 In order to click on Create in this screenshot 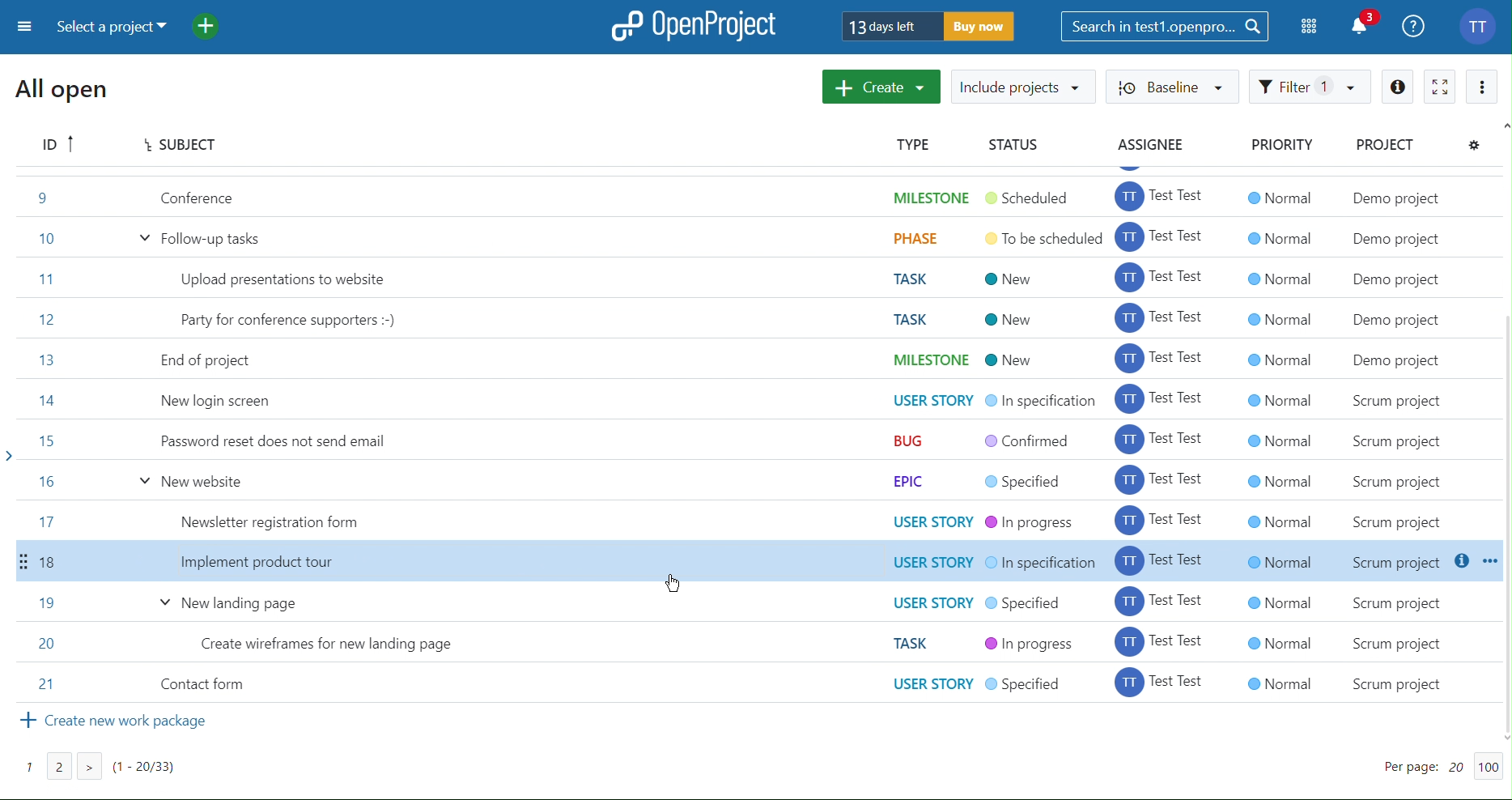, I will do `click(882, 87)`.